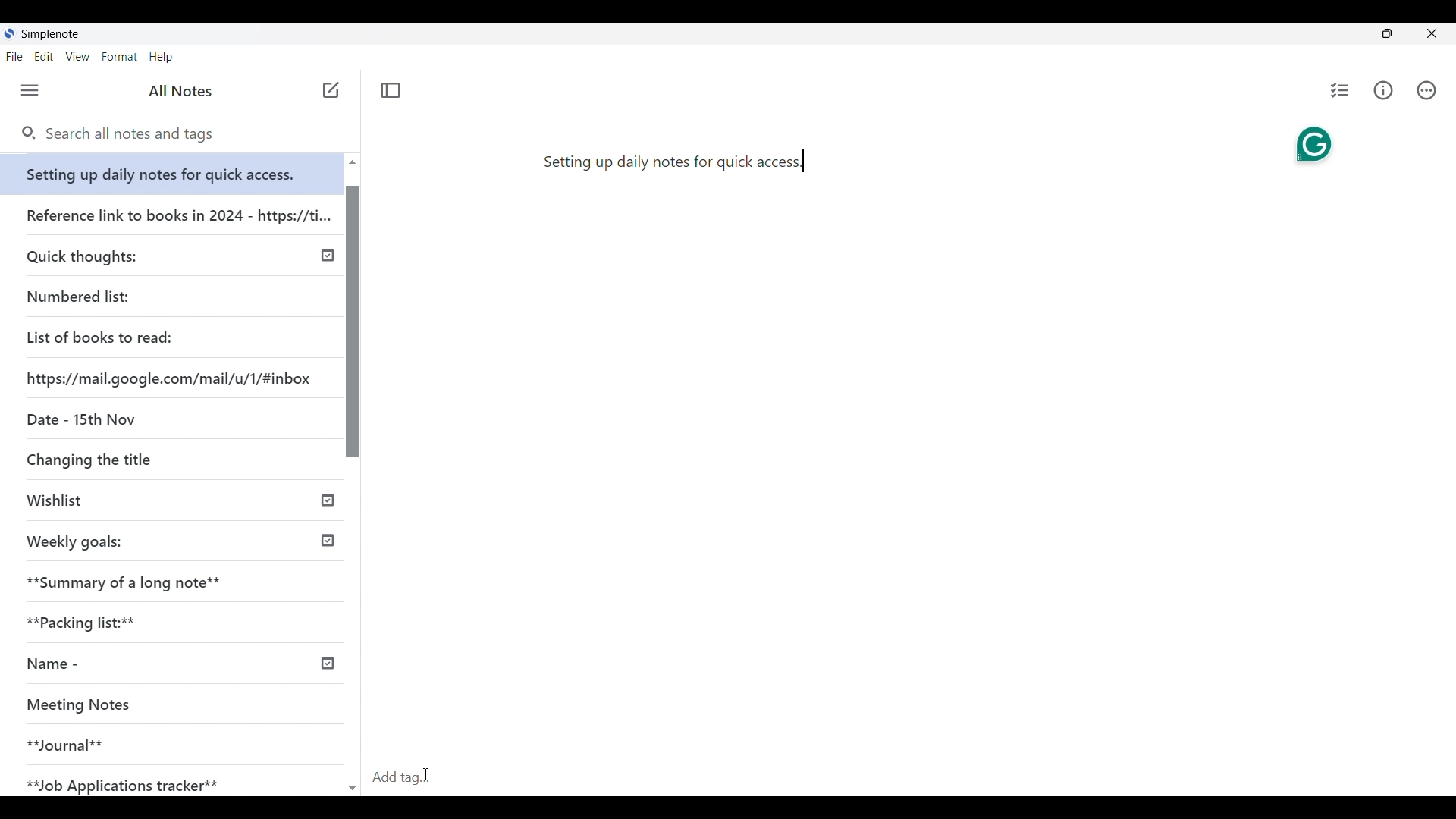  I want to click on Quick slide to top, so click(352, 162).